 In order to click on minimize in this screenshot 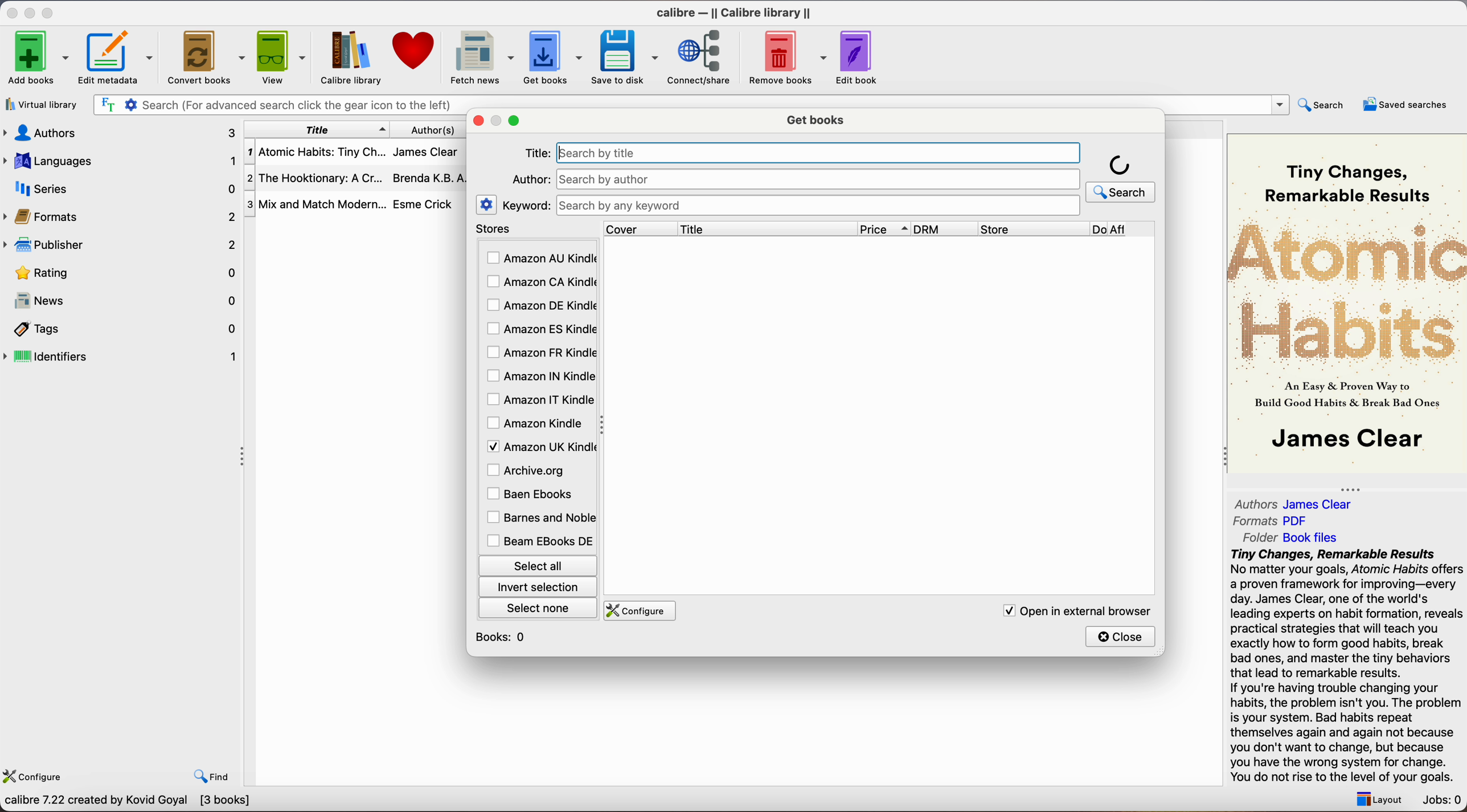, I will do `click(32, 12)`.